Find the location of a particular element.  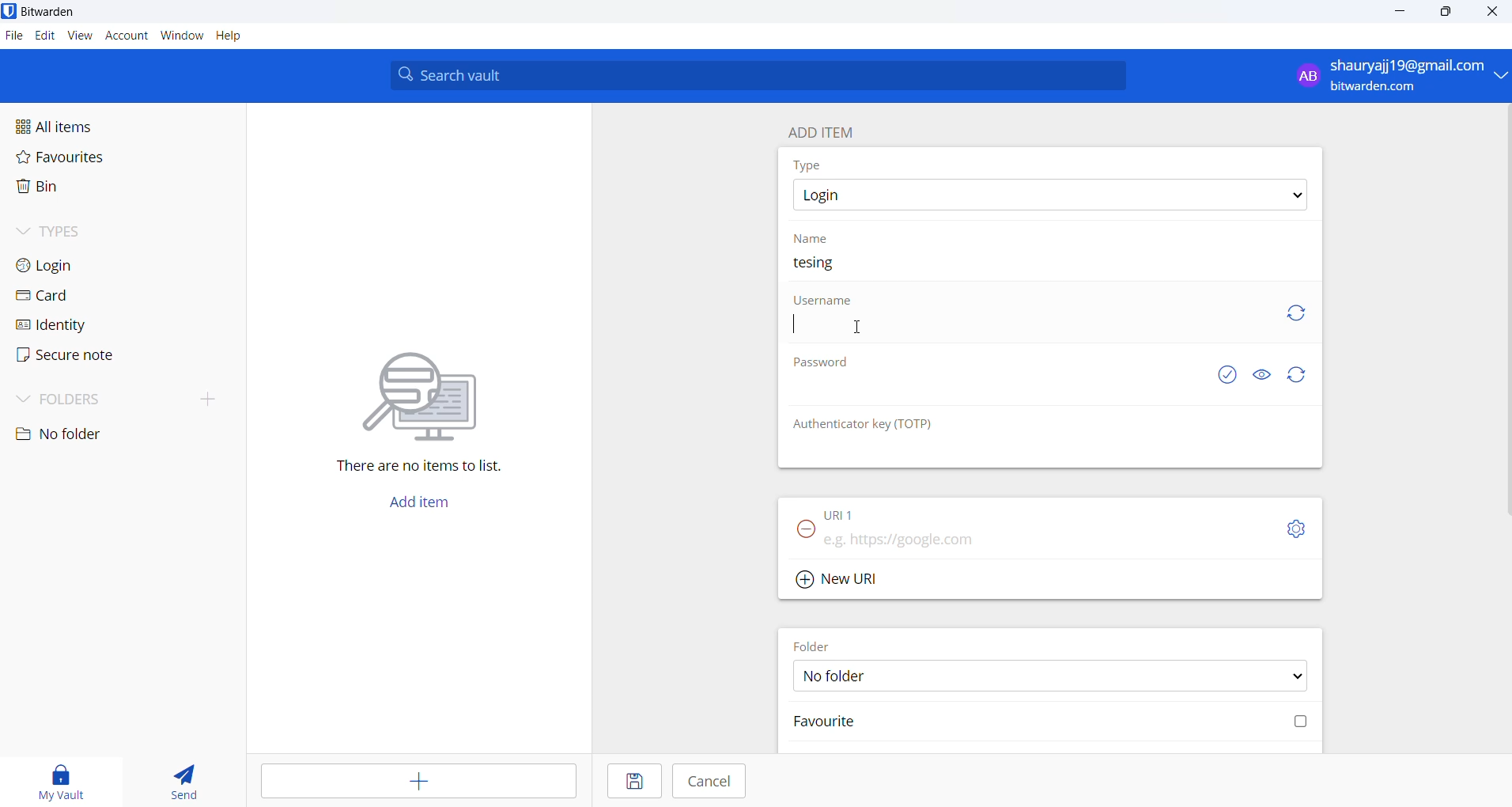

send is located at coordinates (185, 783).